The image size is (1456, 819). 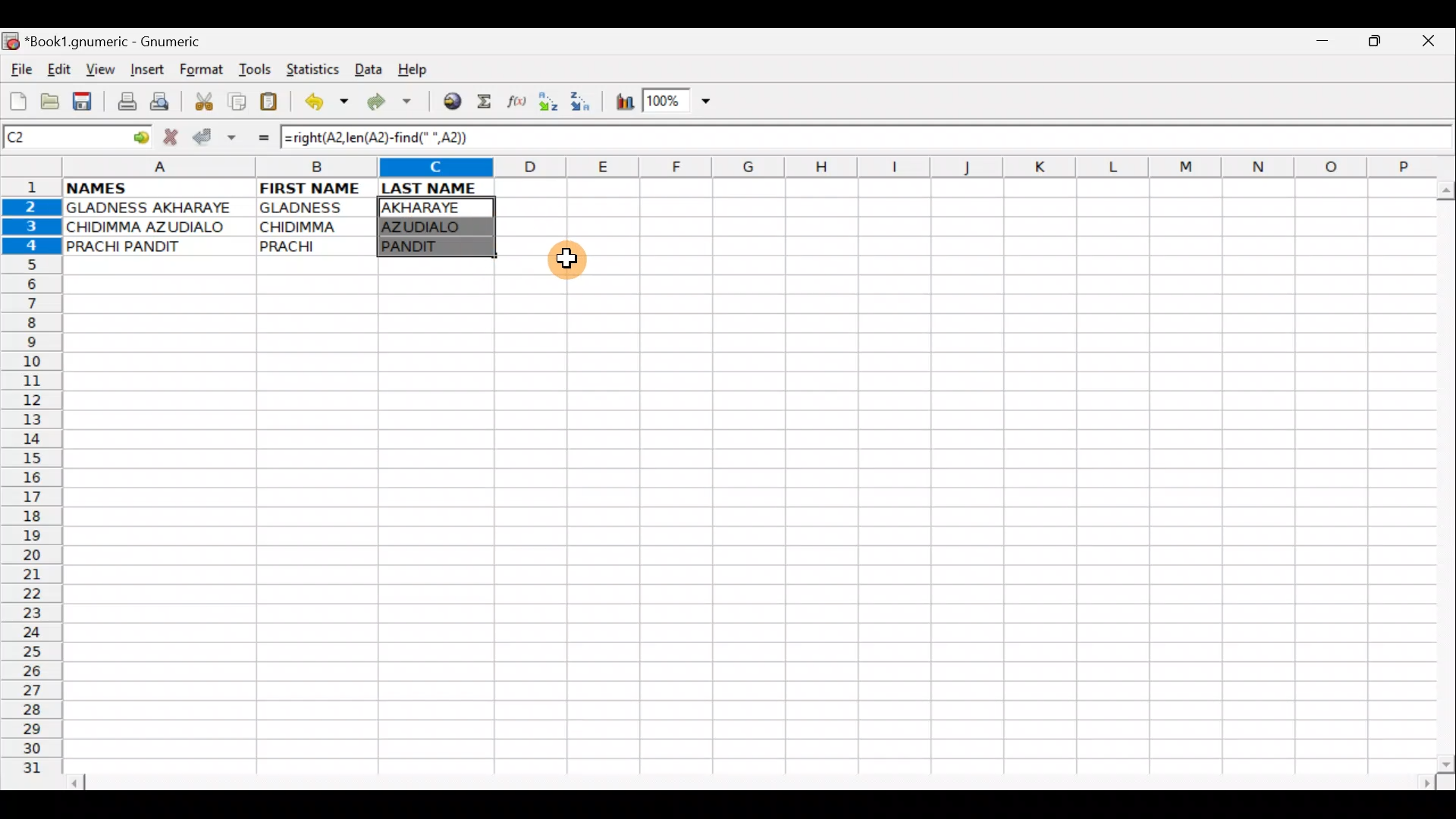 What do you see at coordinates (123, 103) in the screenshot?
I see `Print file` at bounding box center [123, 103].